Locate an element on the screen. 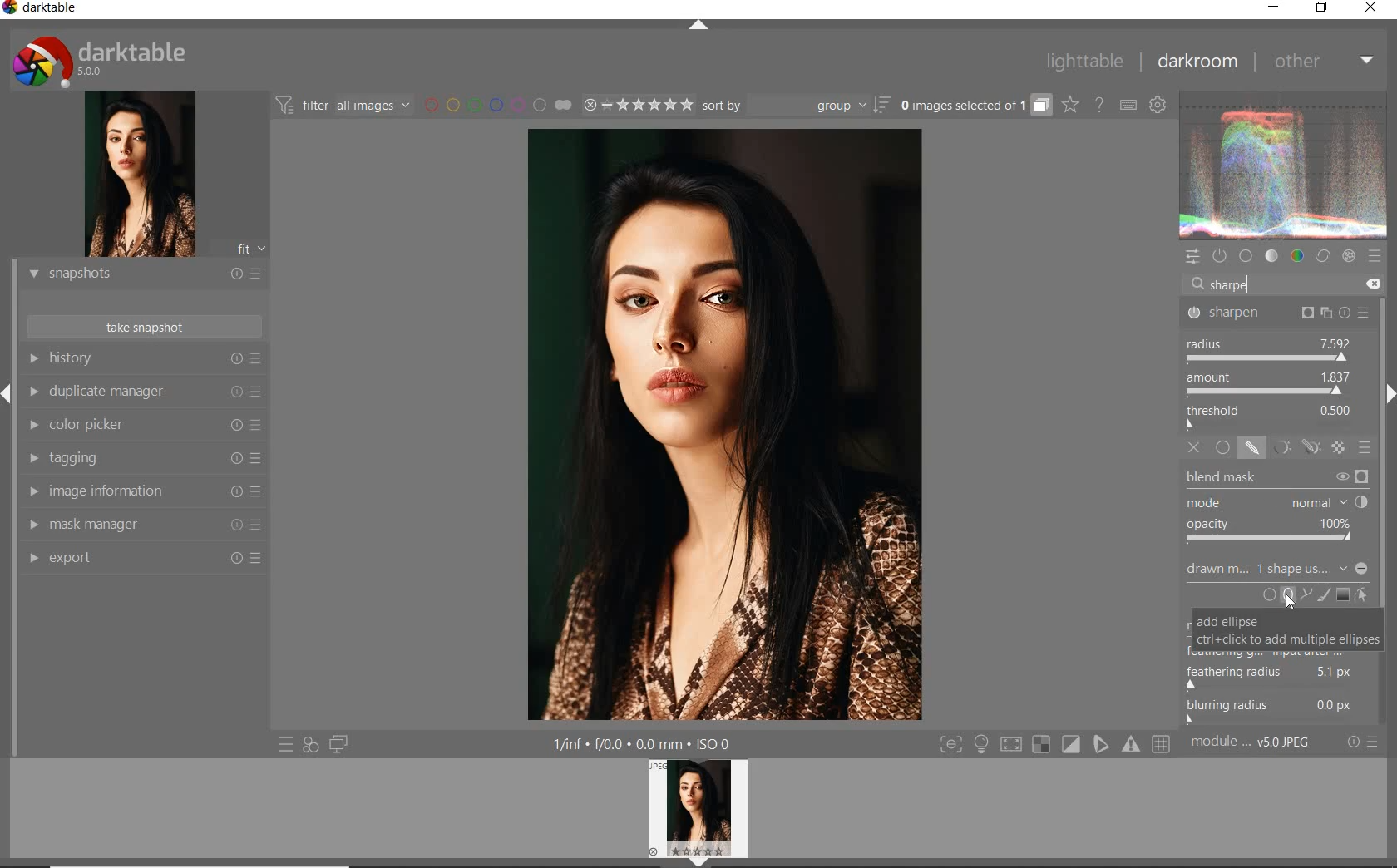 This screenshot has height=868, width=1397. EDITOR is located at coordinates (1209, 288).